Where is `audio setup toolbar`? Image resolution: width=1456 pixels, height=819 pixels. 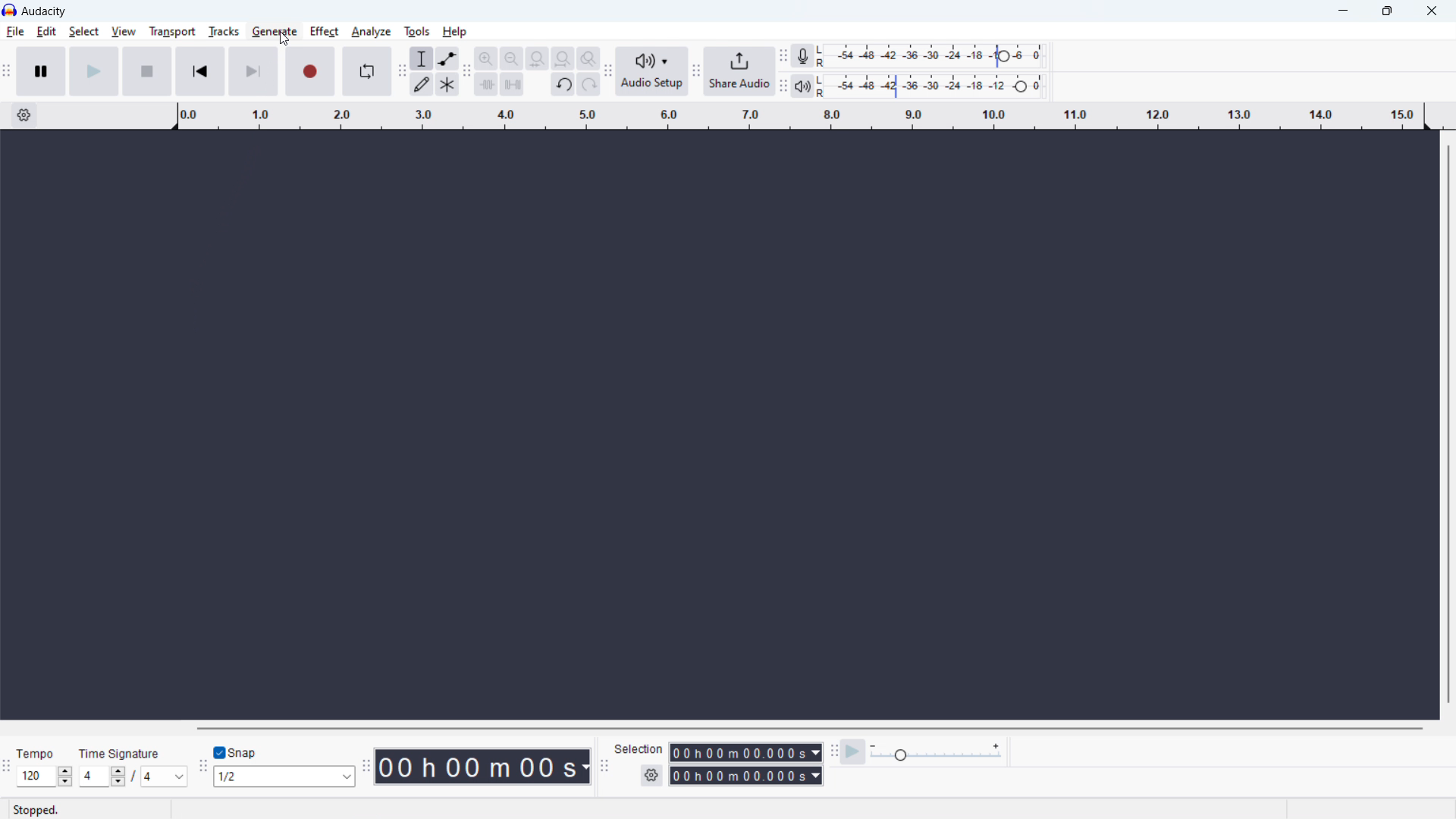
audio setup toolbar is located at coordinates (609, 71).